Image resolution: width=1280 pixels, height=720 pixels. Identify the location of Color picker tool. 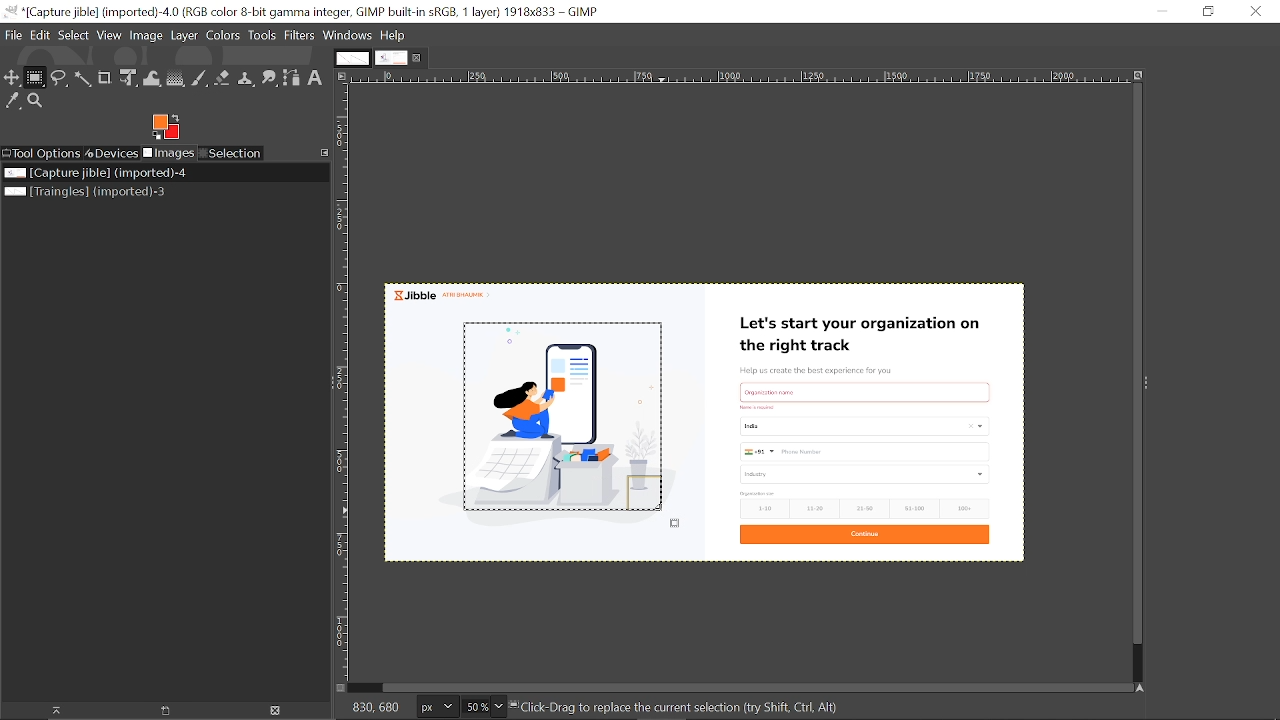
(11, 104).